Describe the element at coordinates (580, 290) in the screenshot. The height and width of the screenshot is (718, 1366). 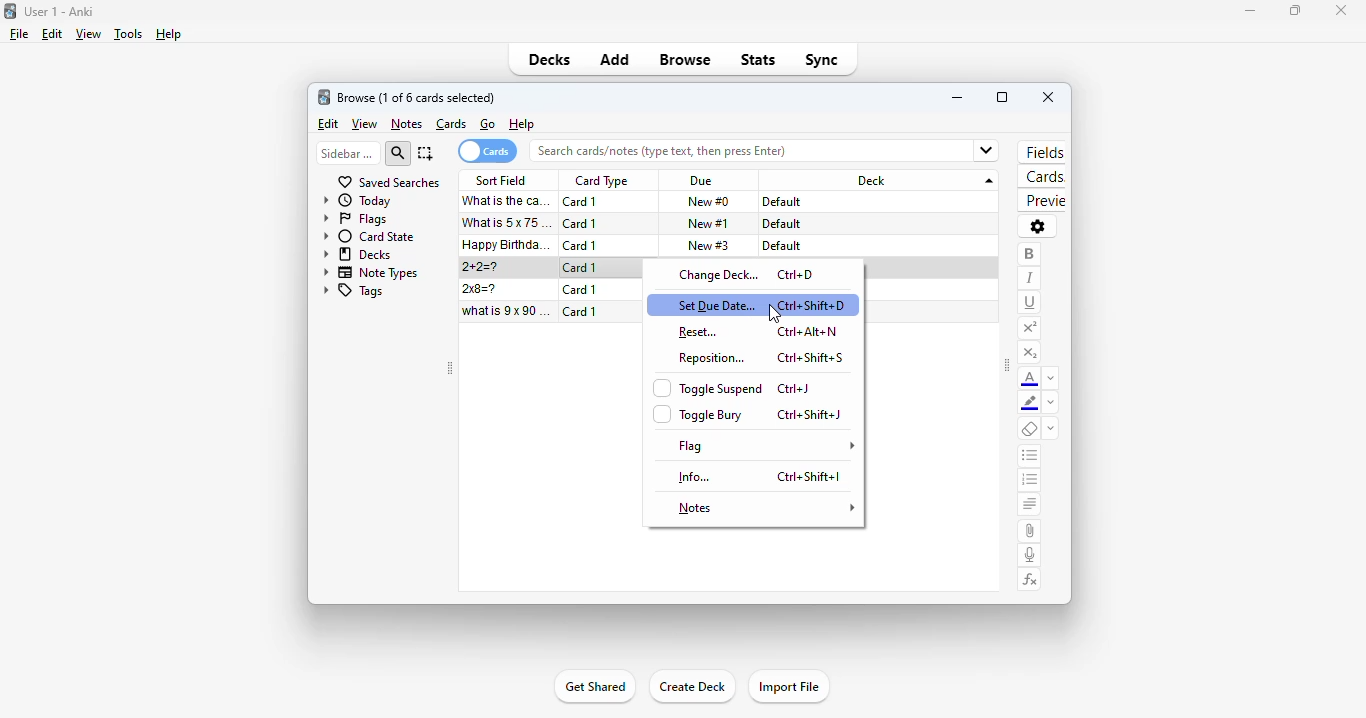
I see `card 1` at that location.